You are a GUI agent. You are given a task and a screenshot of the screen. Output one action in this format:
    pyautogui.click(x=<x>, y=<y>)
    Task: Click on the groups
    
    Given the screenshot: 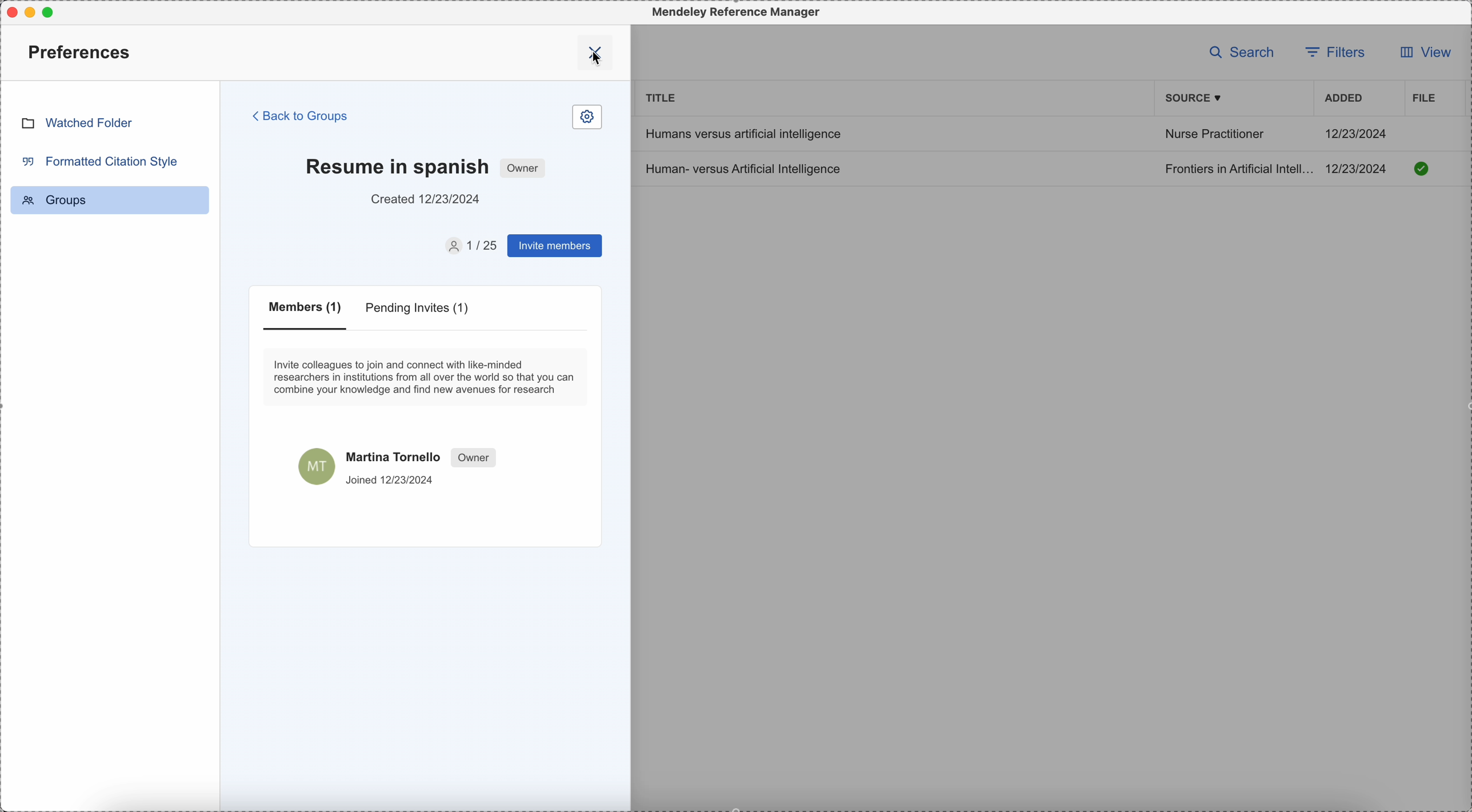 What is the action you would take?
    pyautogui.click(x=110, y=200)
    